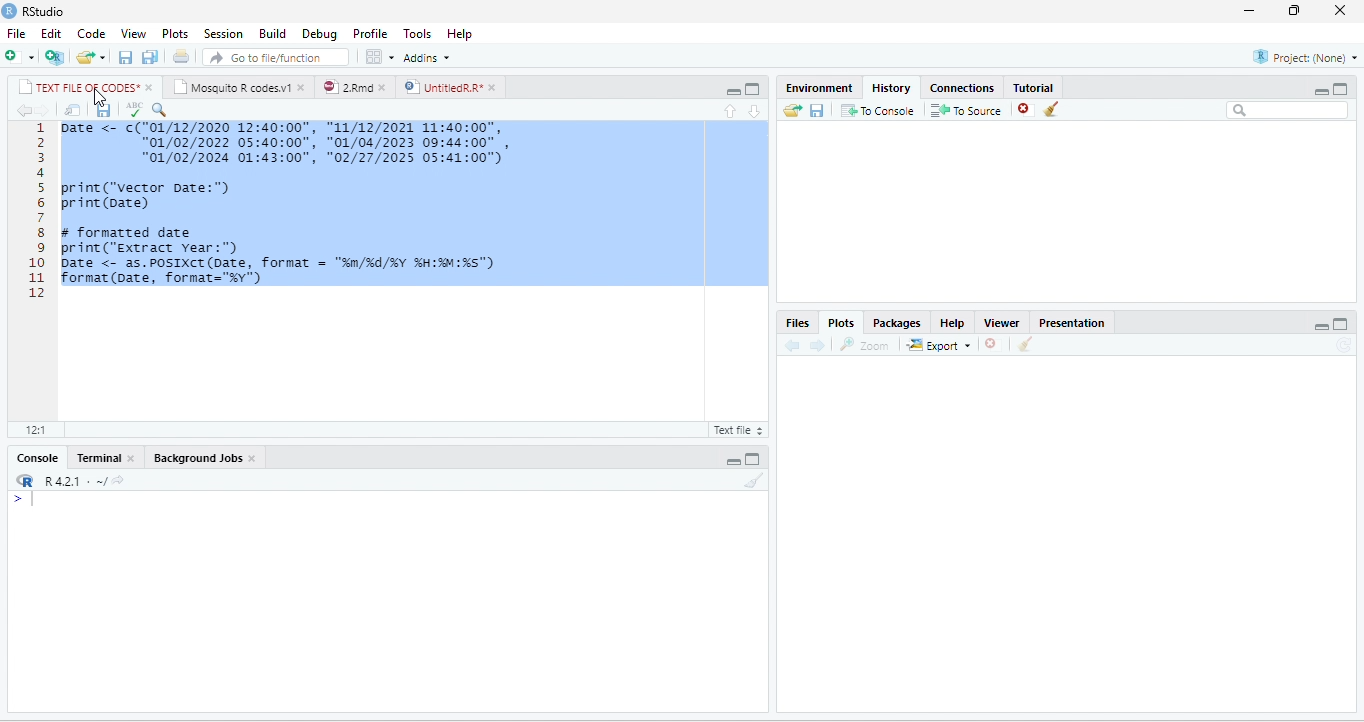 This screenshot has height=722, width=1364. What do you see at coordinates (133, 34) in the screenshot?
I see `View` at bounding box center [133, 34].